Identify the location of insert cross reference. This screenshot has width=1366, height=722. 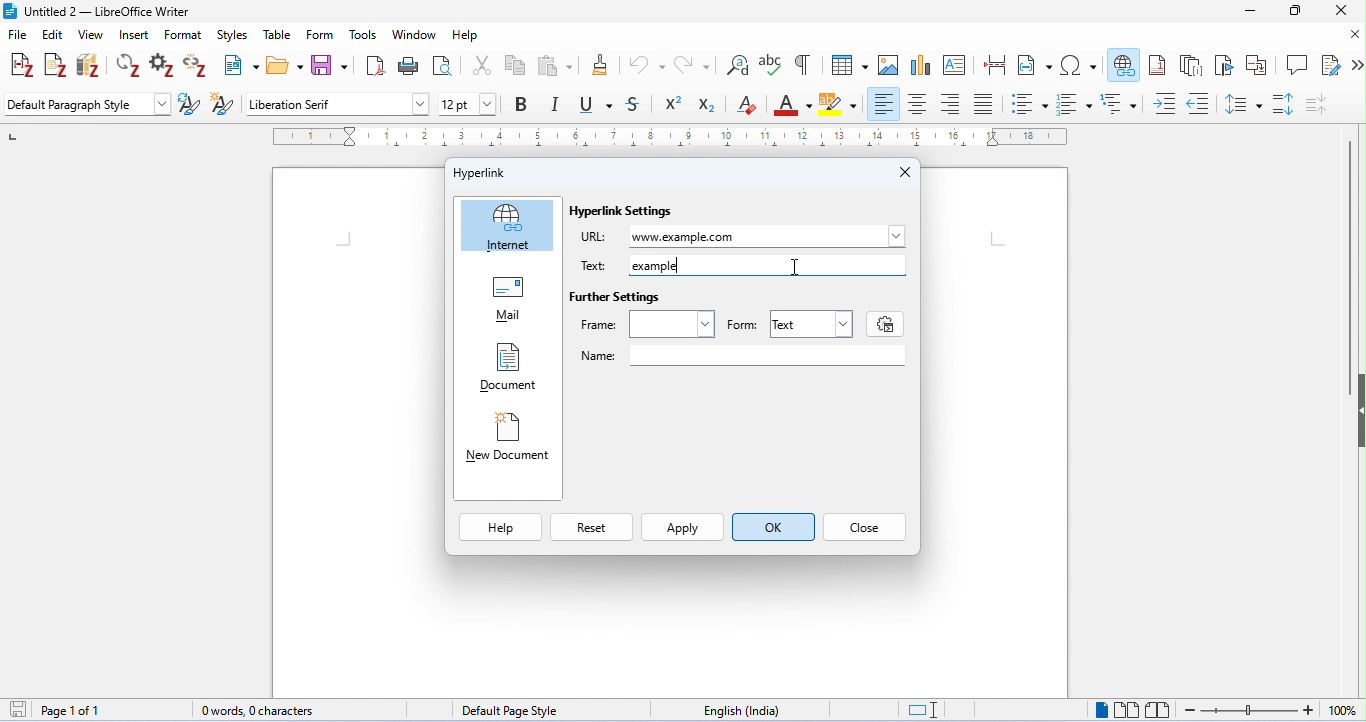
(1258, 65).